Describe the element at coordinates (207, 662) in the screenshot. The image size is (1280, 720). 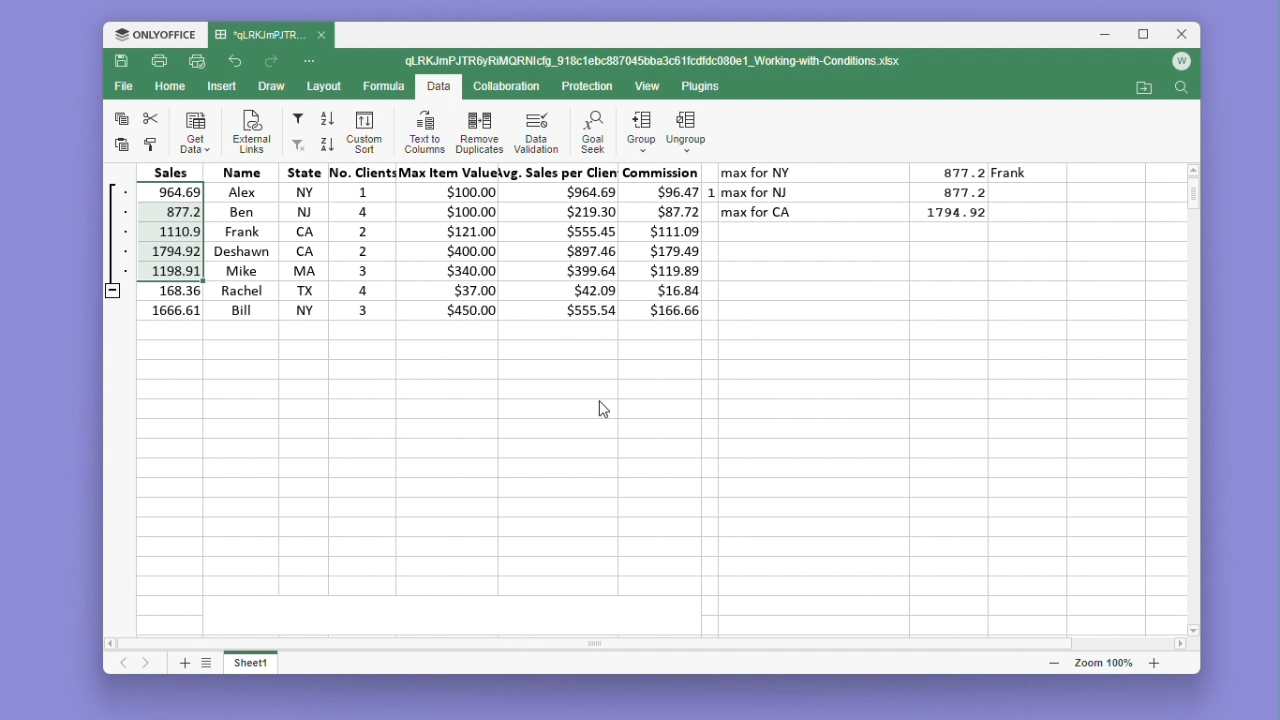
I see `list sheets` at that location.